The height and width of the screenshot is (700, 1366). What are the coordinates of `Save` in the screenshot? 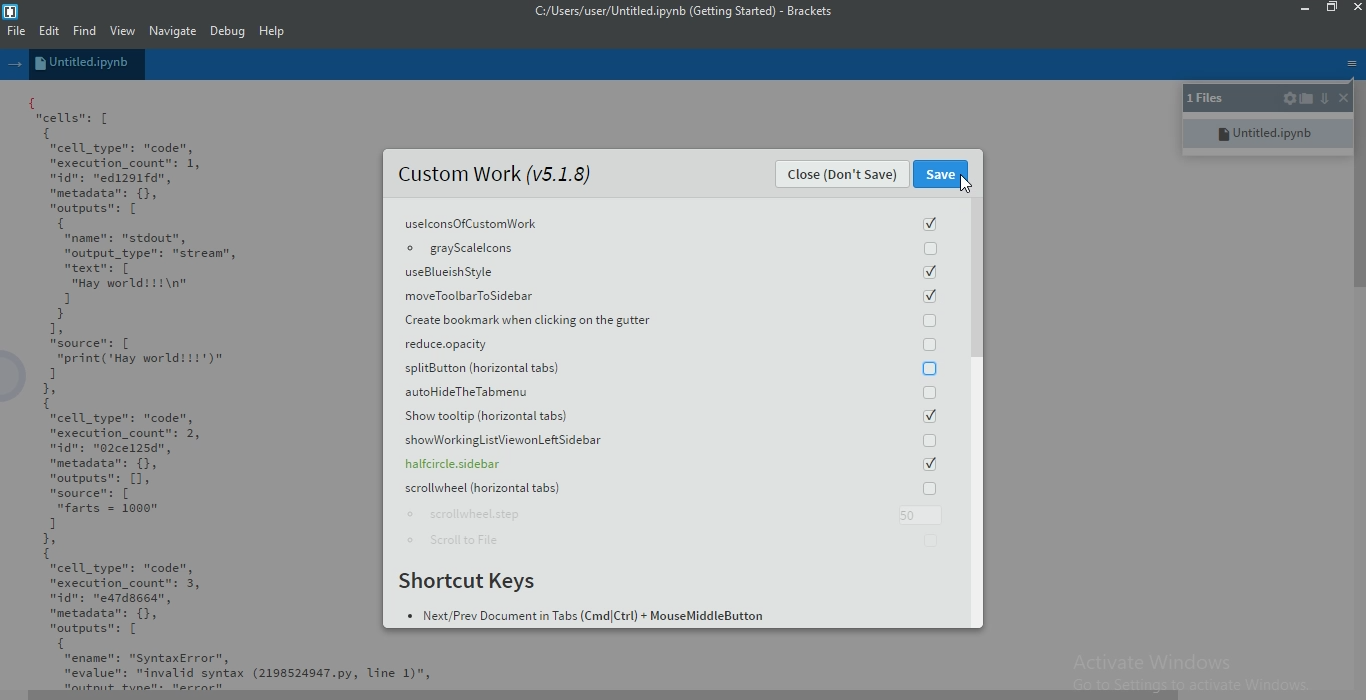 It's located at (940, 174).